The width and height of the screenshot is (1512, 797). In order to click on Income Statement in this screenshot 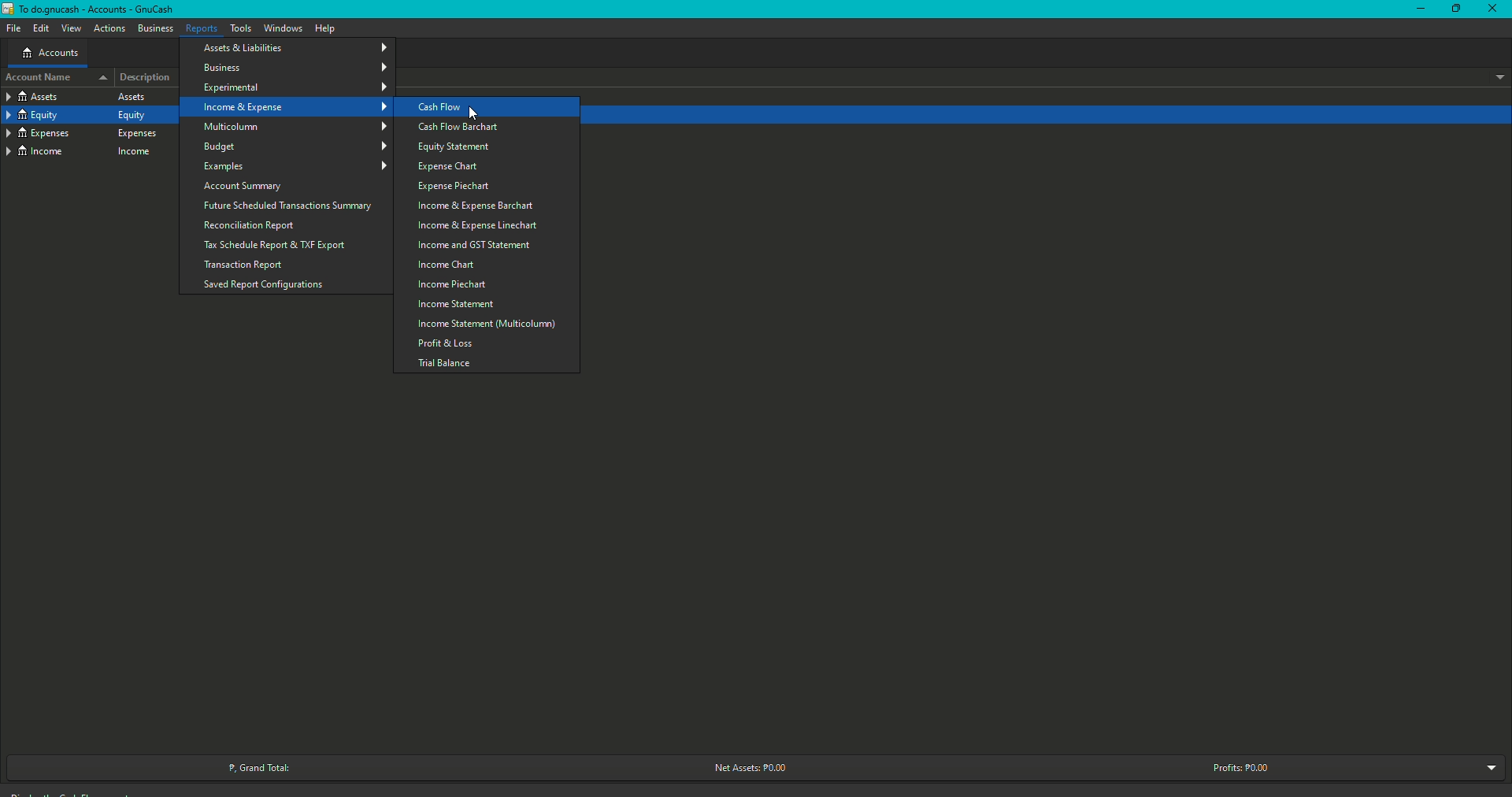, I will do `click(458, 306)`.